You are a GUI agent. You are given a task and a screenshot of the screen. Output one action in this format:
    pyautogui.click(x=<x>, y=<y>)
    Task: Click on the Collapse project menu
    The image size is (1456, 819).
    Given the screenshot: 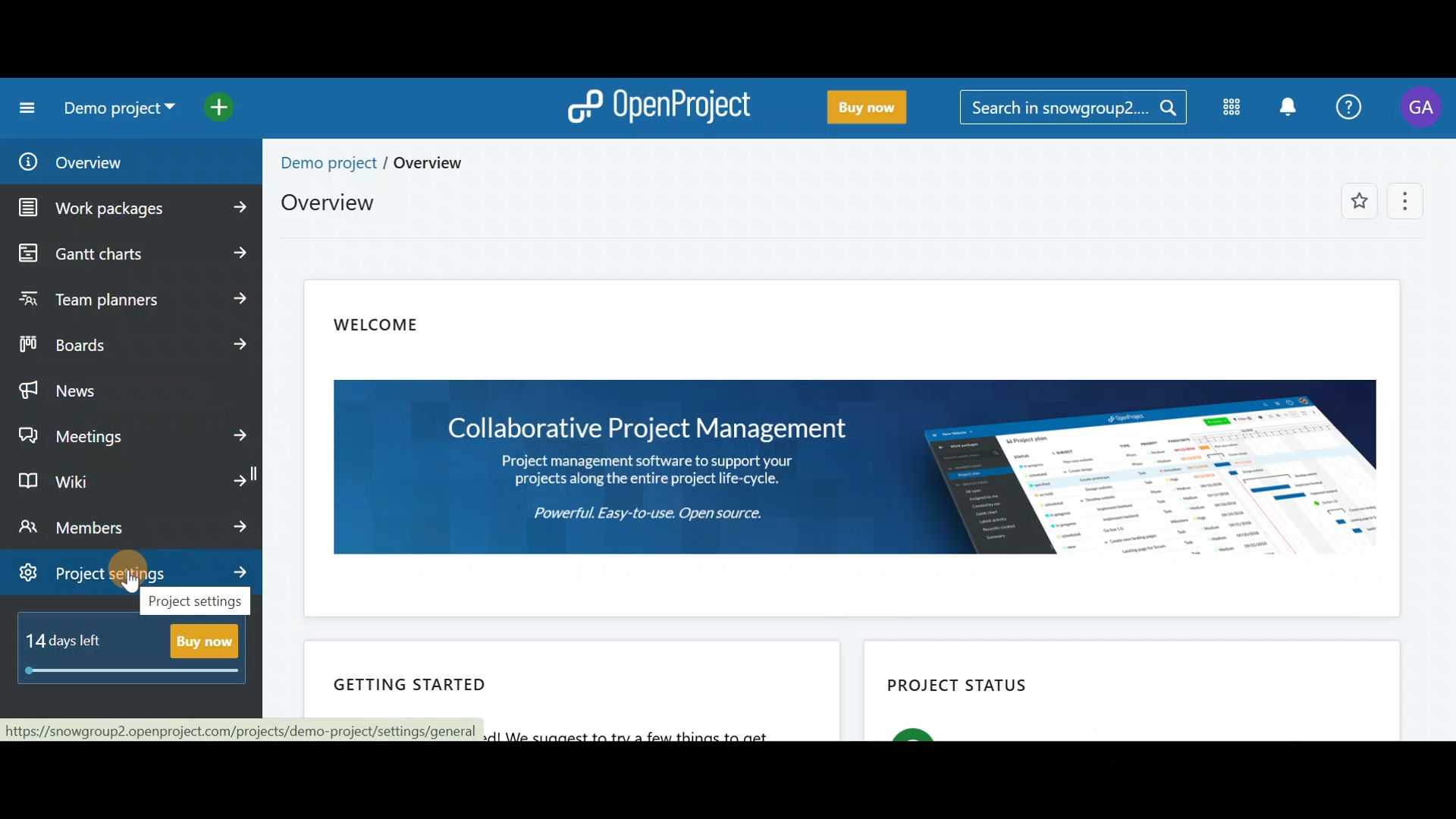 What is the action you would take?
    pyautogui.click(x=24, y=111)
    